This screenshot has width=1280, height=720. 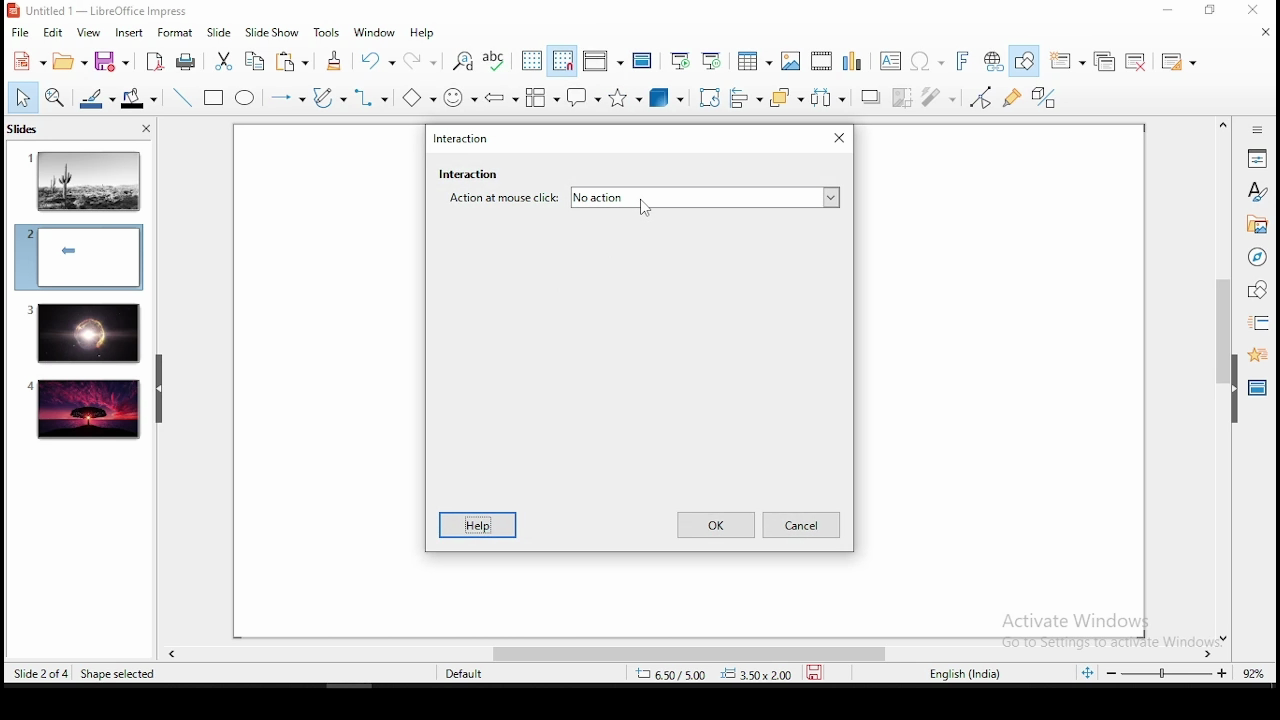 What do you see at coordinates (961, 62) in the screenshot?
I see `fontwork text` at bounding box center [961, 62].